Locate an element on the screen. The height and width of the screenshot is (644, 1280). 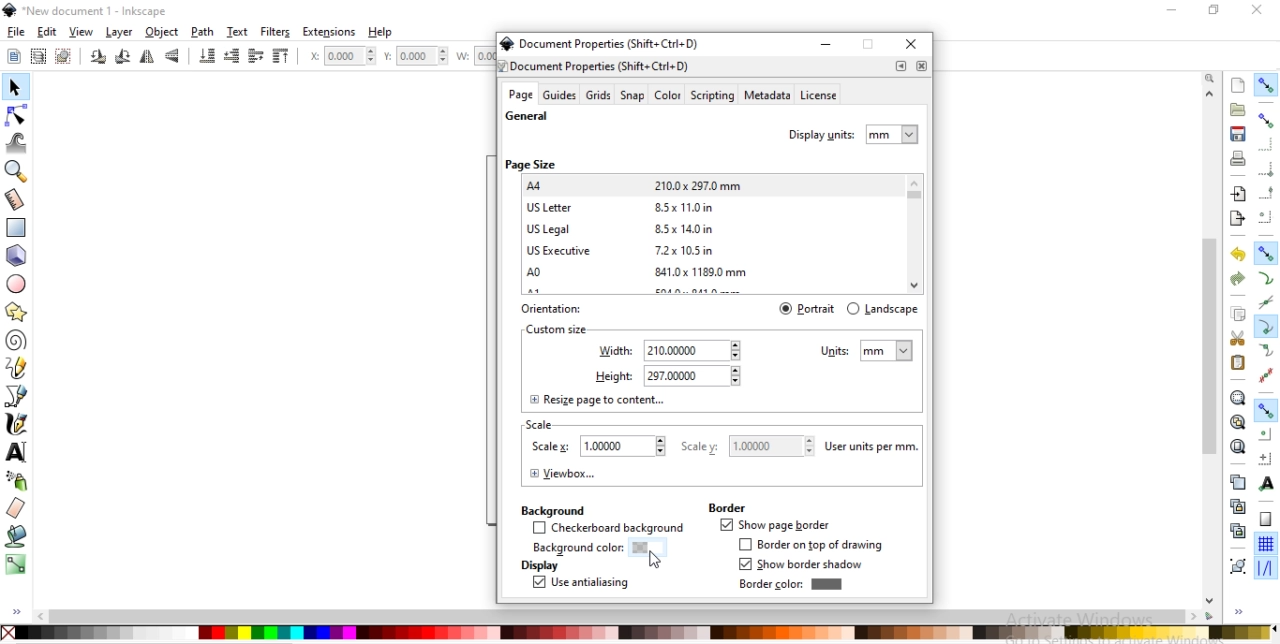
deselct any selected objects or nodes is located at coordinates (63, 55).